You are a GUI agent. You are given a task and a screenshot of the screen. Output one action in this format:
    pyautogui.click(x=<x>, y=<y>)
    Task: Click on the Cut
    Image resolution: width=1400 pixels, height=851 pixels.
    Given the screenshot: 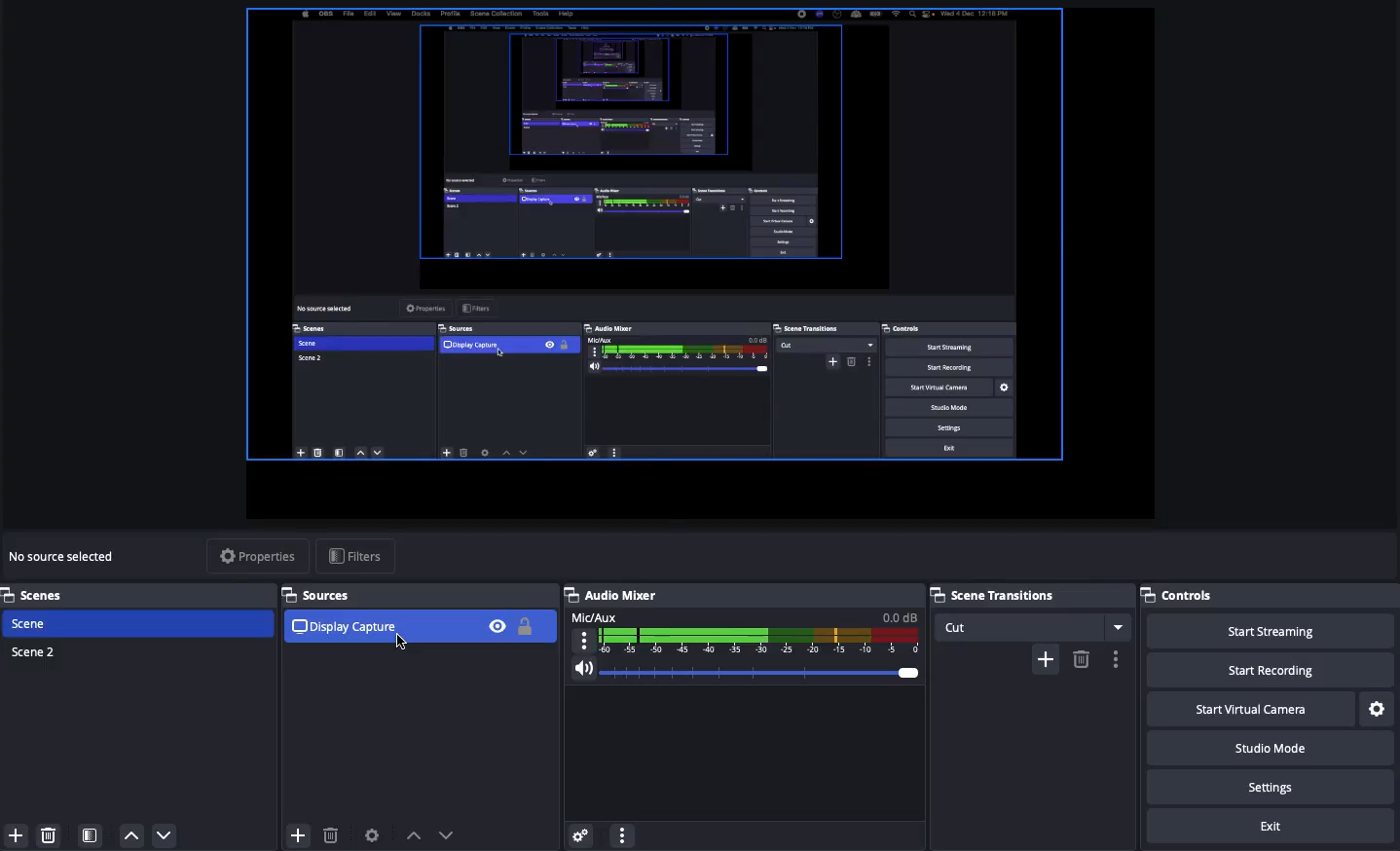 What is the action you would take?
    pyautogui.click(x=1034, y=627)
    